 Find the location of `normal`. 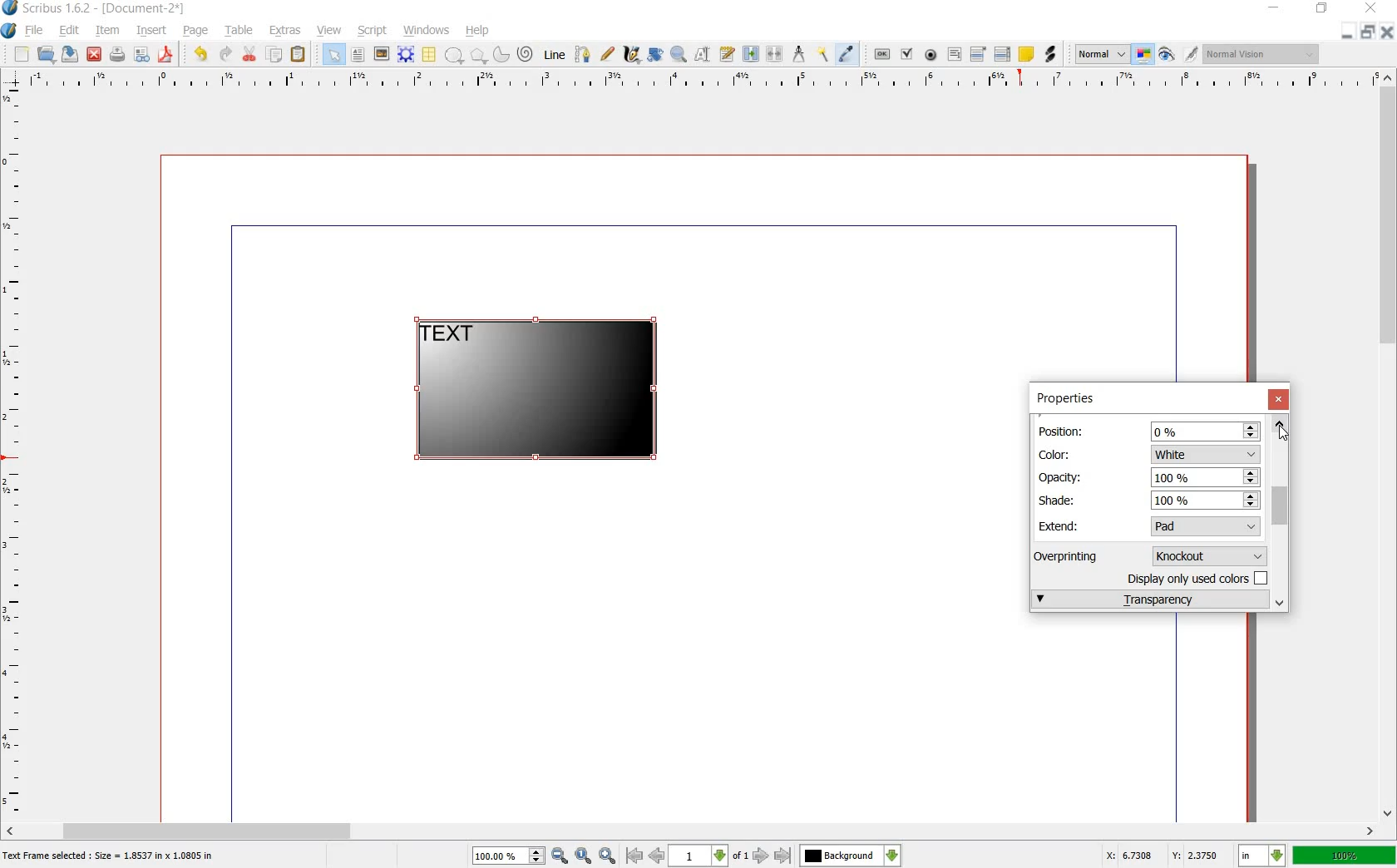

normal is located at coordinates (1102, 55).